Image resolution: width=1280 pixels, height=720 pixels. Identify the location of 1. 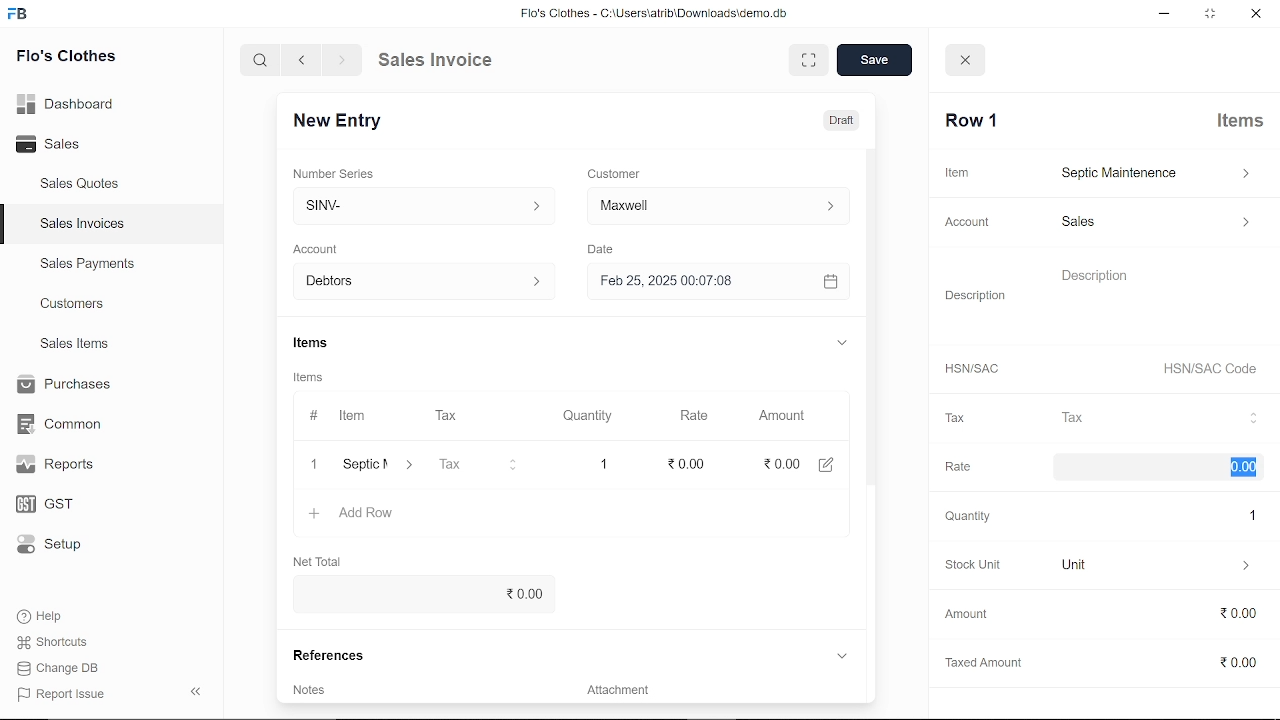
(1243, 515).